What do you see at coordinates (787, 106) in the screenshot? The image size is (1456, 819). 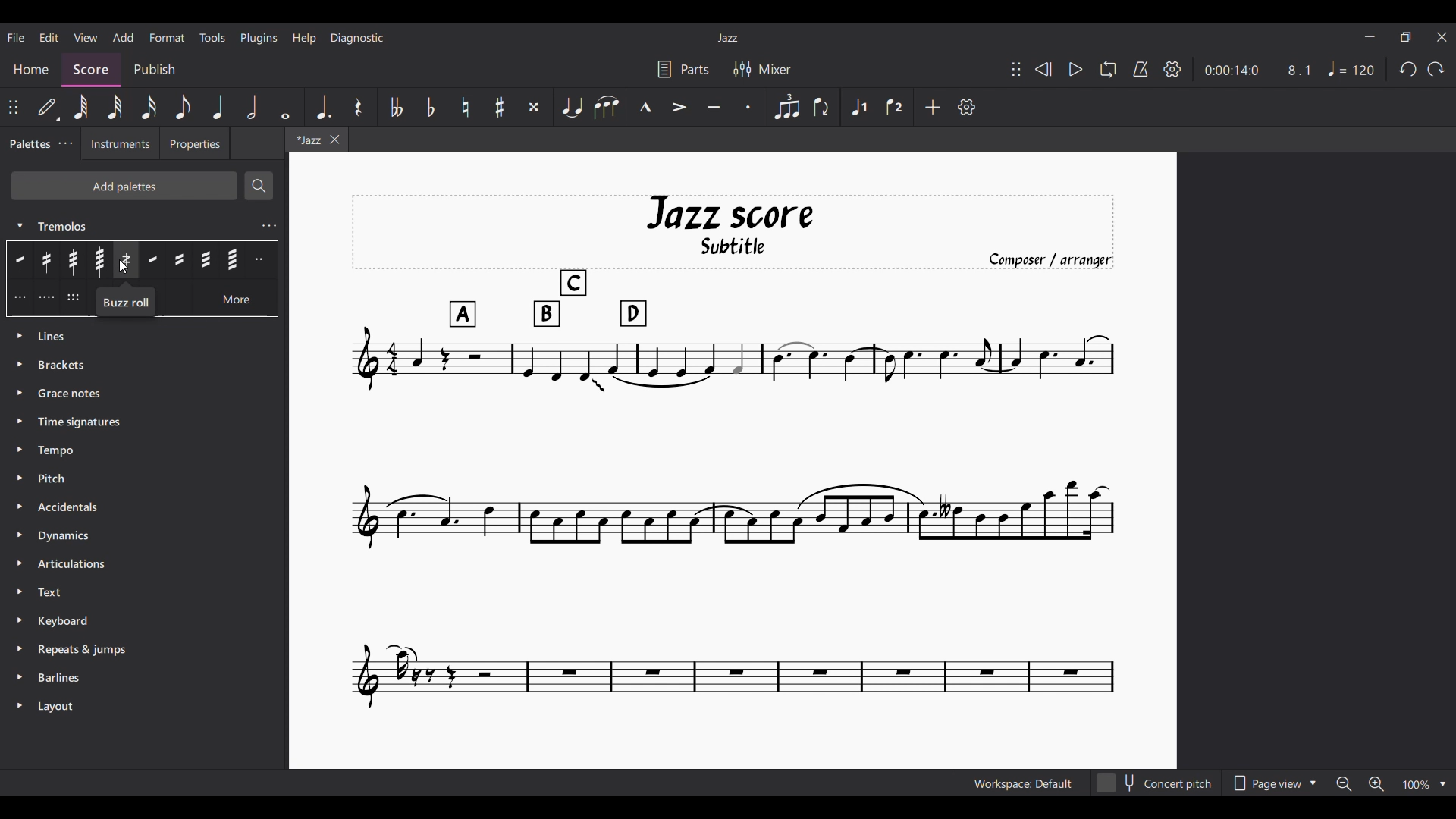 I see `Tuplet` at bounding box center [787, 106].